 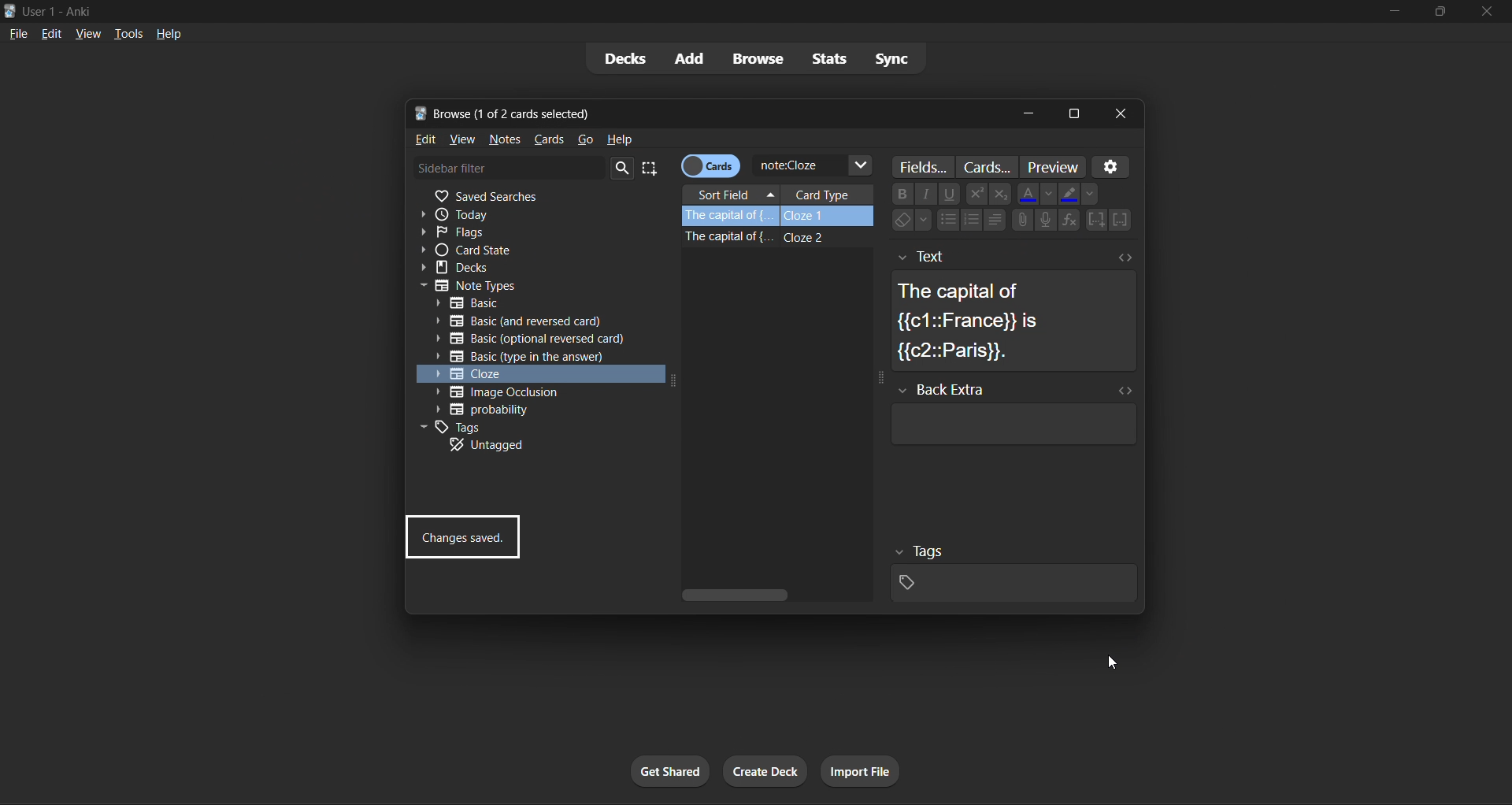 I want to click on today filter expand, so click(x=543, y=213).